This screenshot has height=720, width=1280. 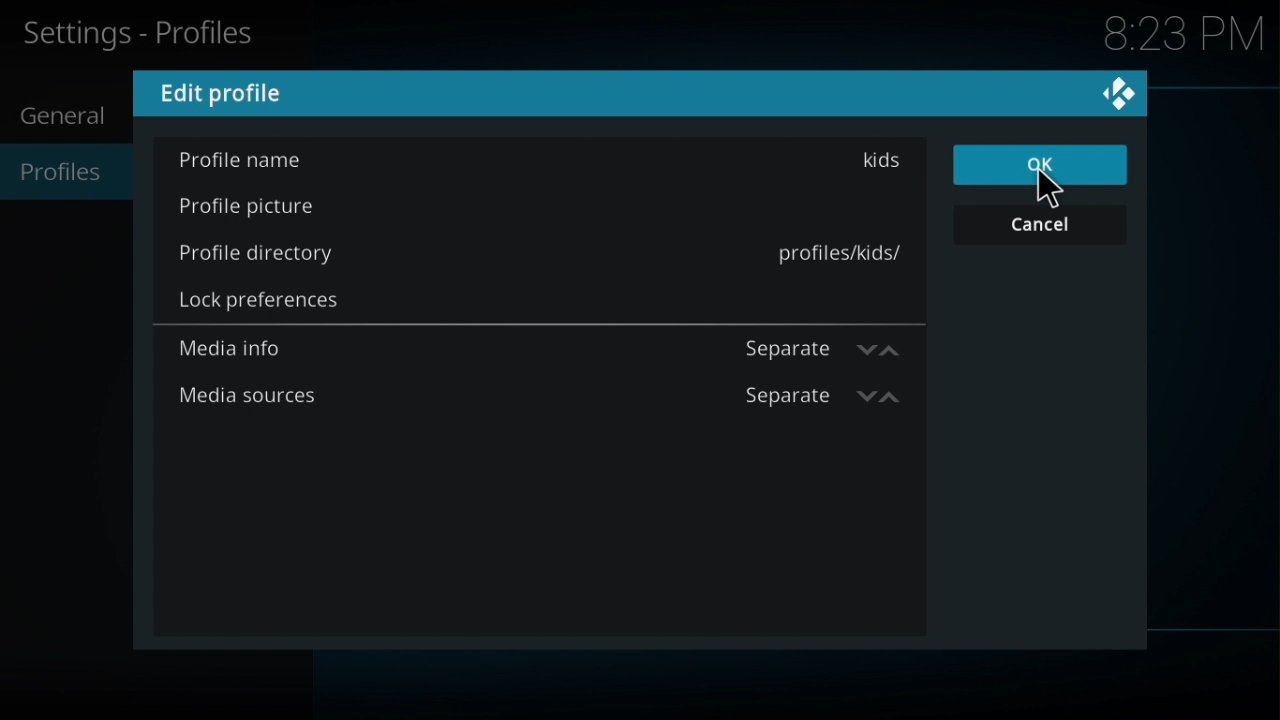 I want to click on Cancel, so click(x=1035, y=228).